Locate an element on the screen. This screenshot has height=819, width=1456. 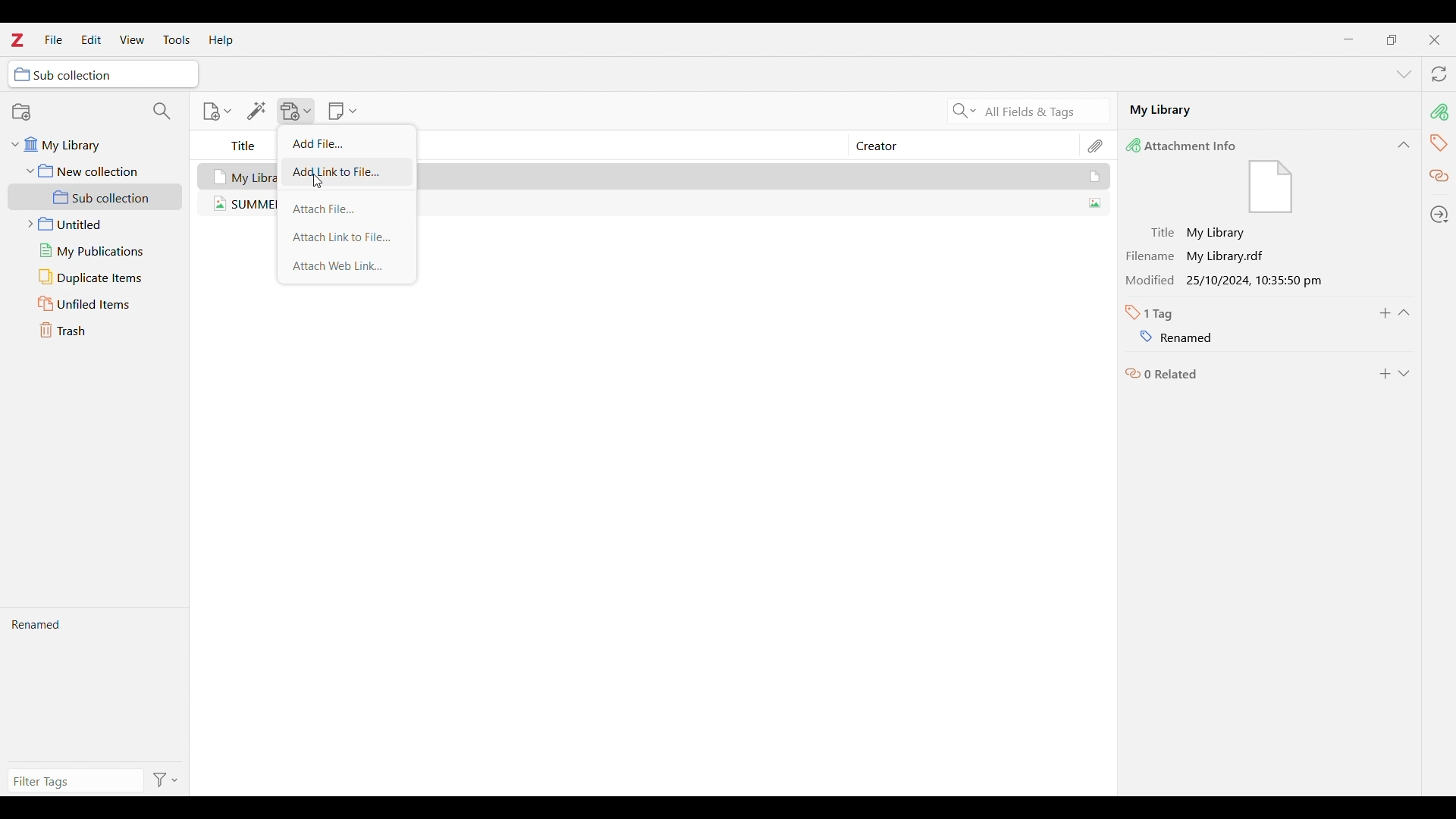
file icon is located at coordinates (1269, 188).